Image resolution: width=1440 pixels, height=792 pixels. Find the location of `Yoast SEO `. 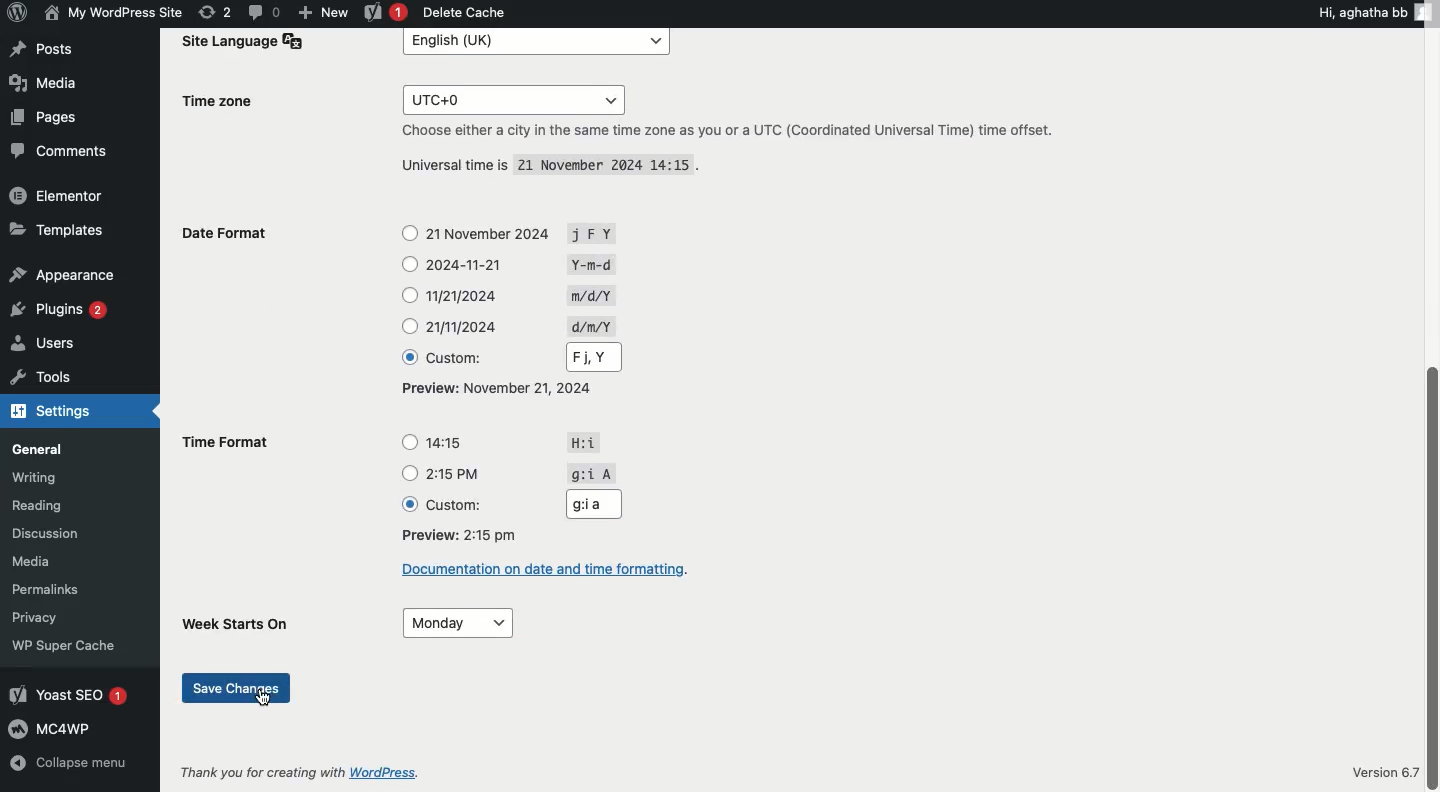

Yoast SEO  is located at coordinates (66, 692).